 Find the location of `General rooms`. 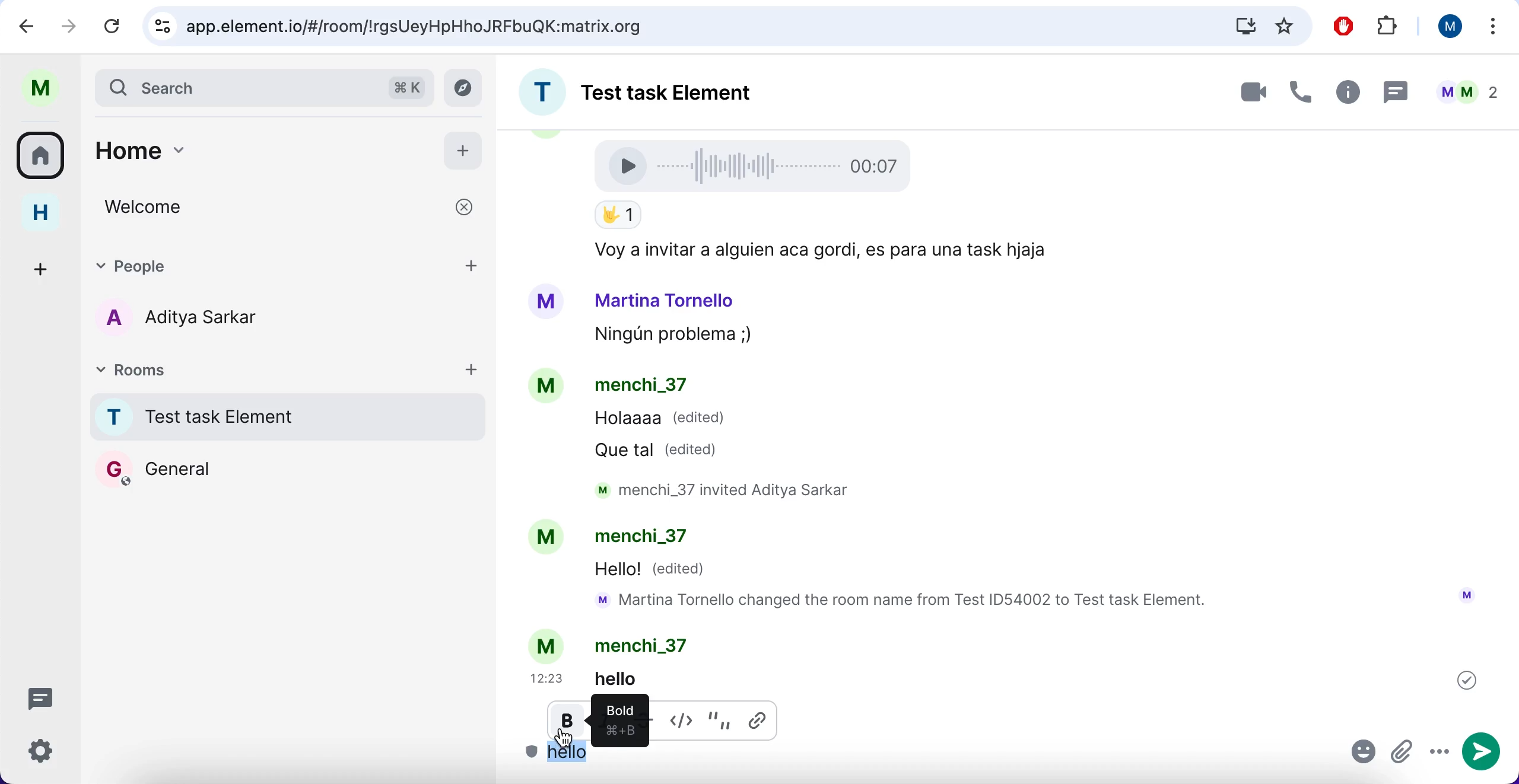

General rooms is located at coordinates (288, 469).